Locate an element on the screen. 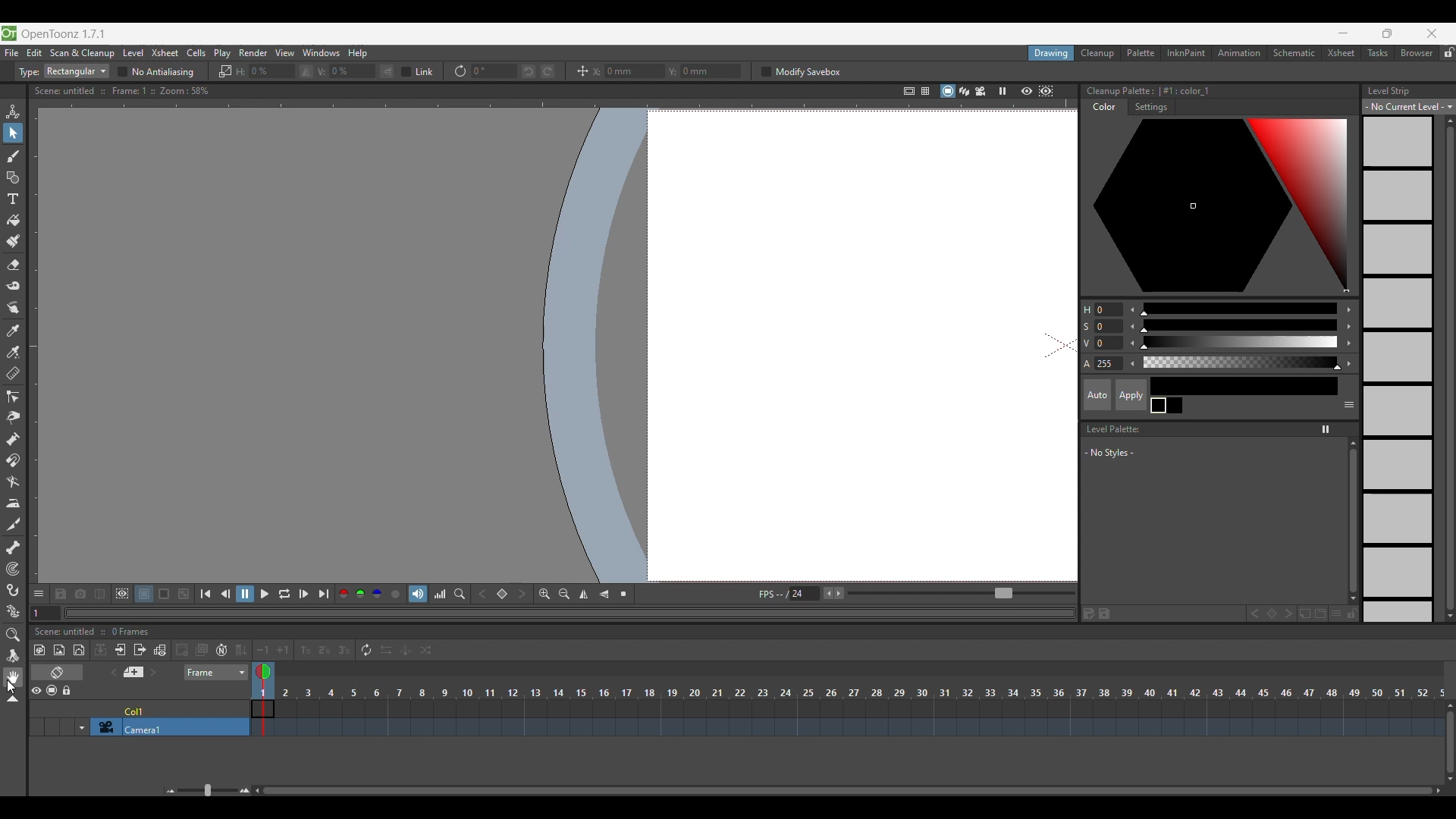 The image size is (1456, 819). First frame is located at coordinates (206, 594).